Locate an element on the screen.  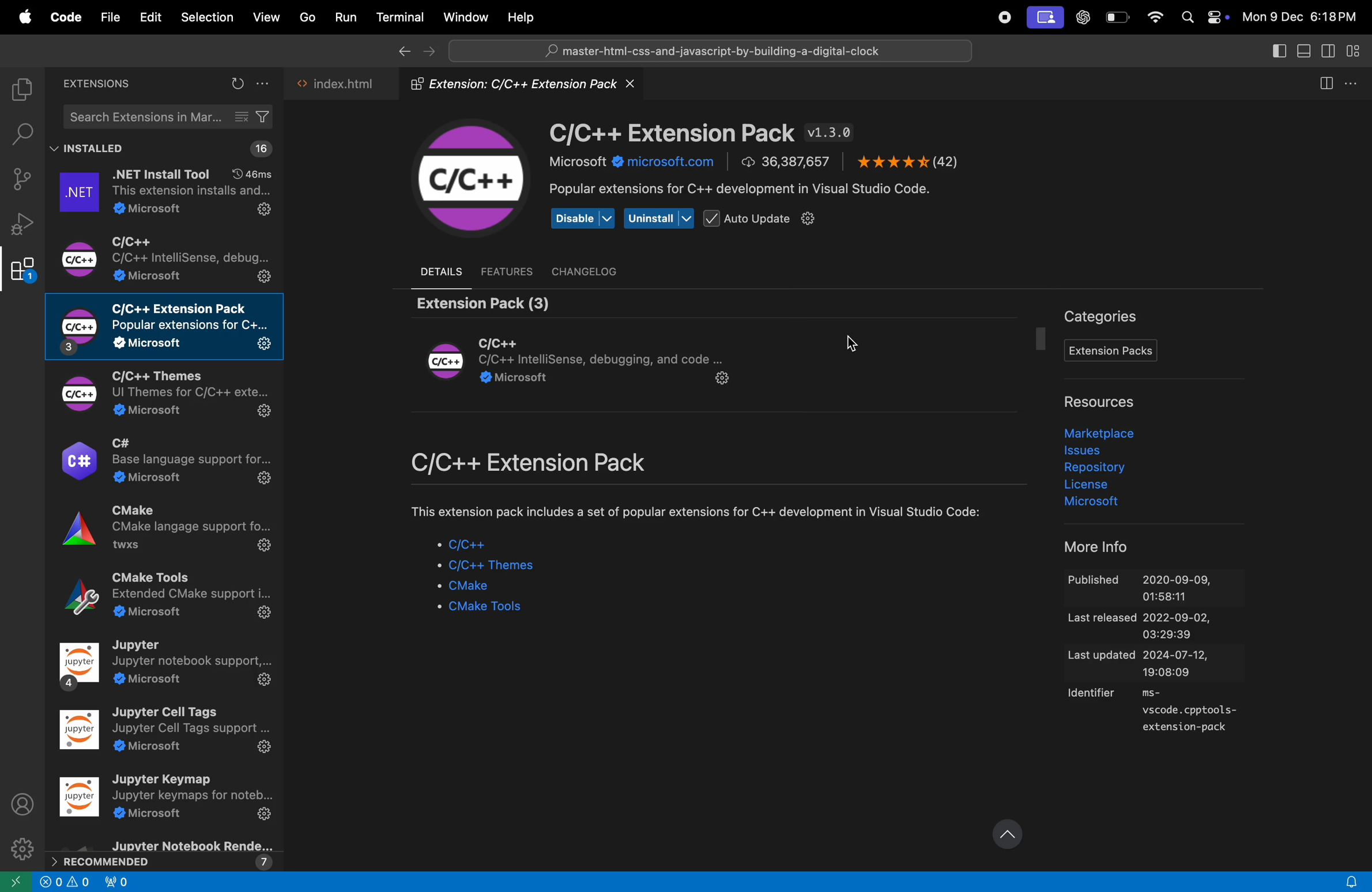
C/c++ extensions is located at coordinates (554, 464).